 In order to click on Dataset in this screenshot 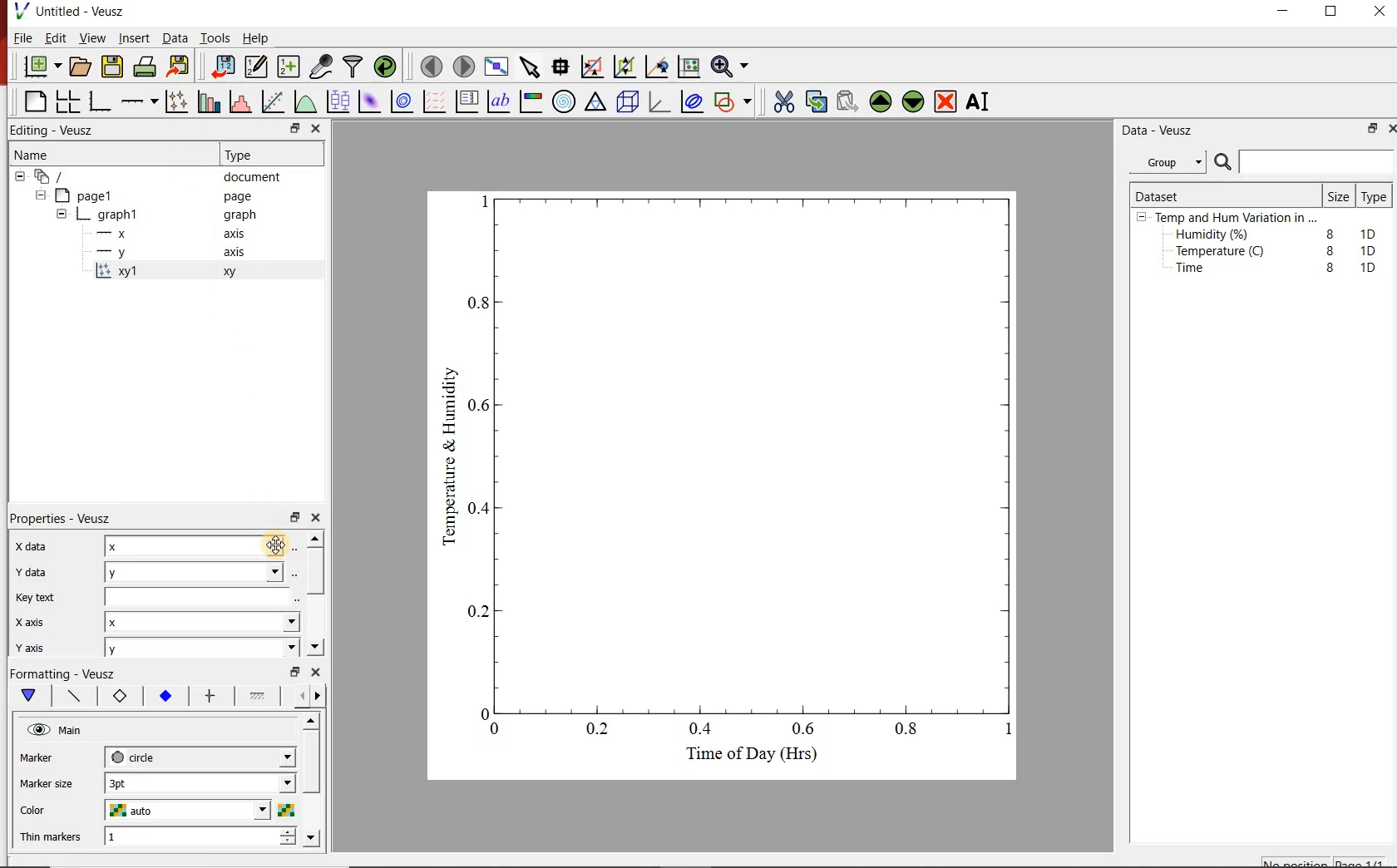, I will do `click(1164, 194)`.